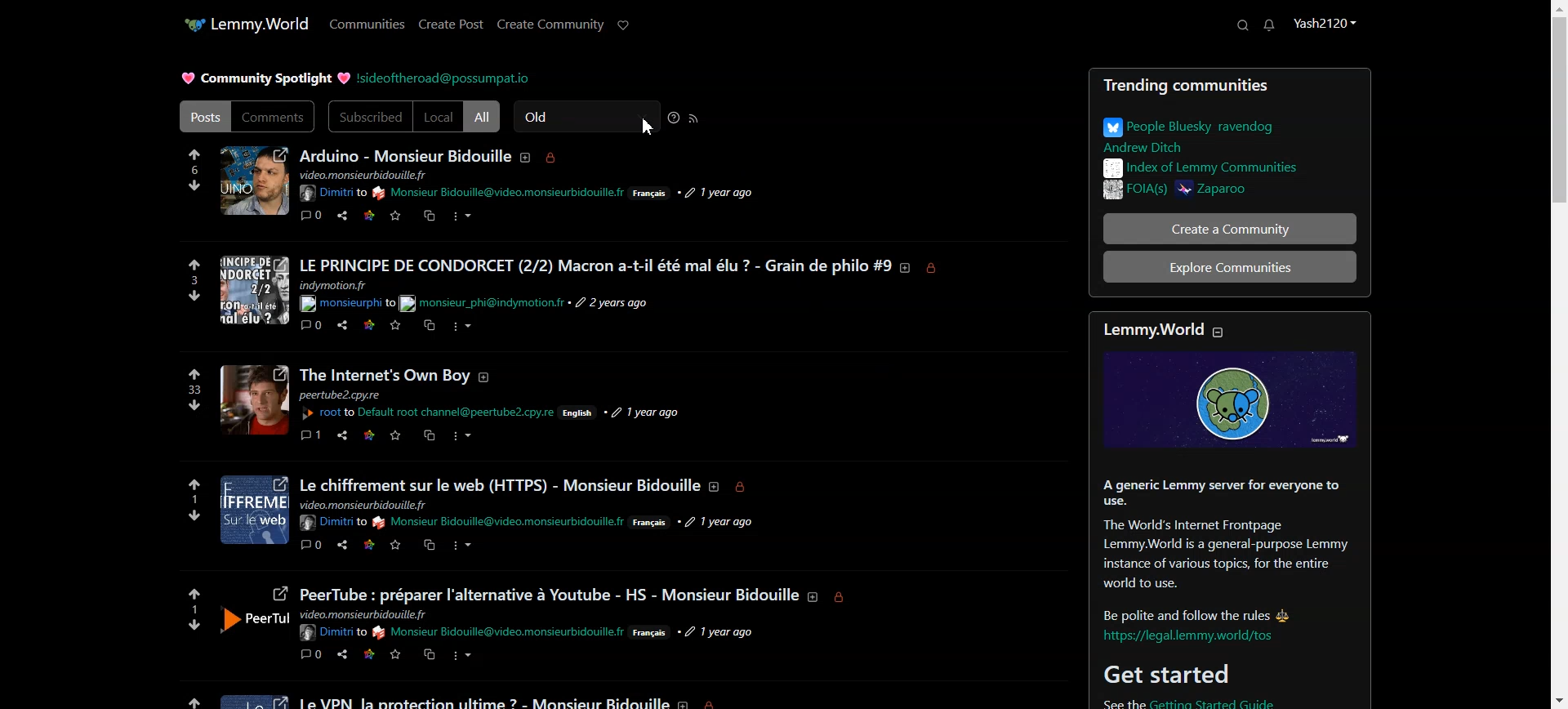 The width and height of the screenshot is (1568, 709). What do you see at coordinates (647, 411) in the screenshot?
I see `` at bounding box center [647, 411].